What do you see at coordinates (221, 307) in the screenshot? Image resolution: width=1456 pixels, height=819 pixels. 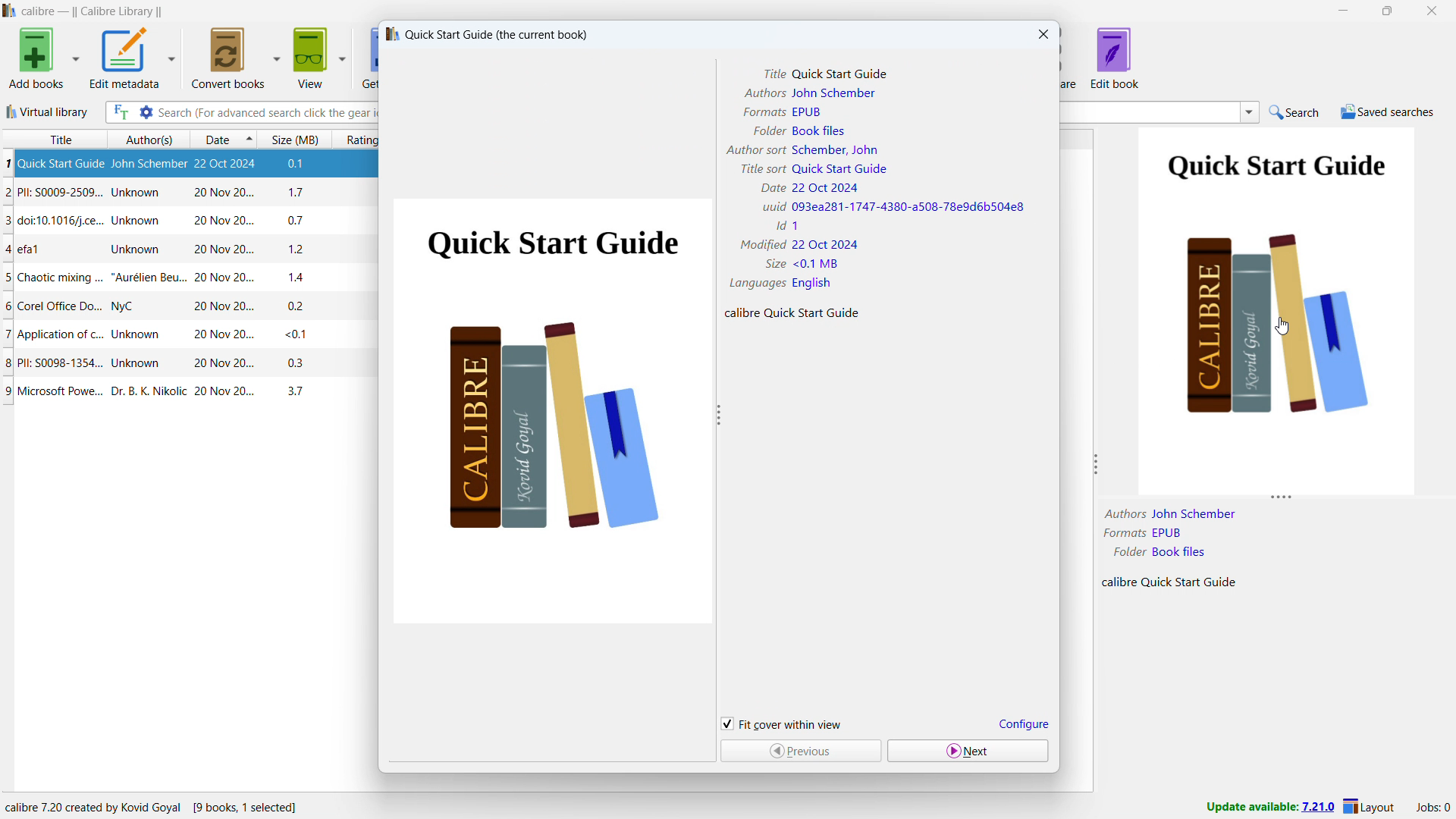 I see `20 Nov 20..` at bounding box center [221, 307].